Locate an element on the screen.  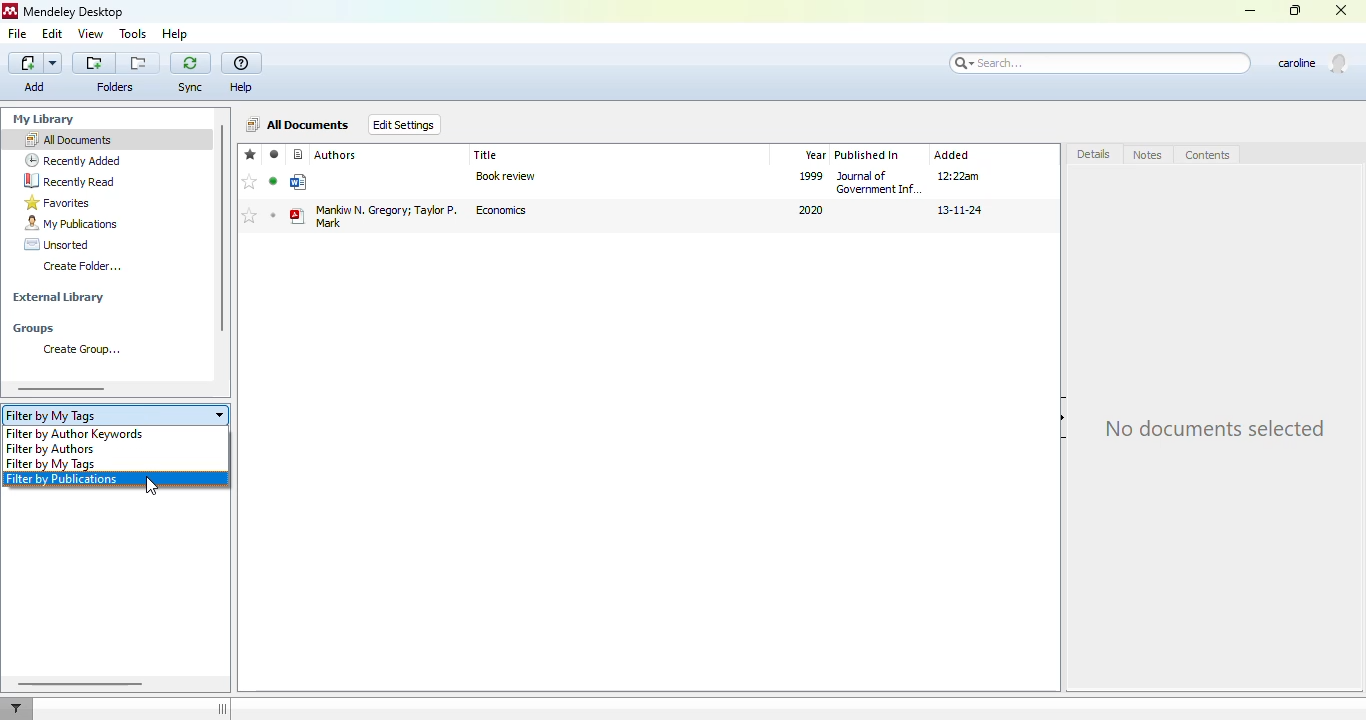
filter by my tags is located at coordinates (116, 415).